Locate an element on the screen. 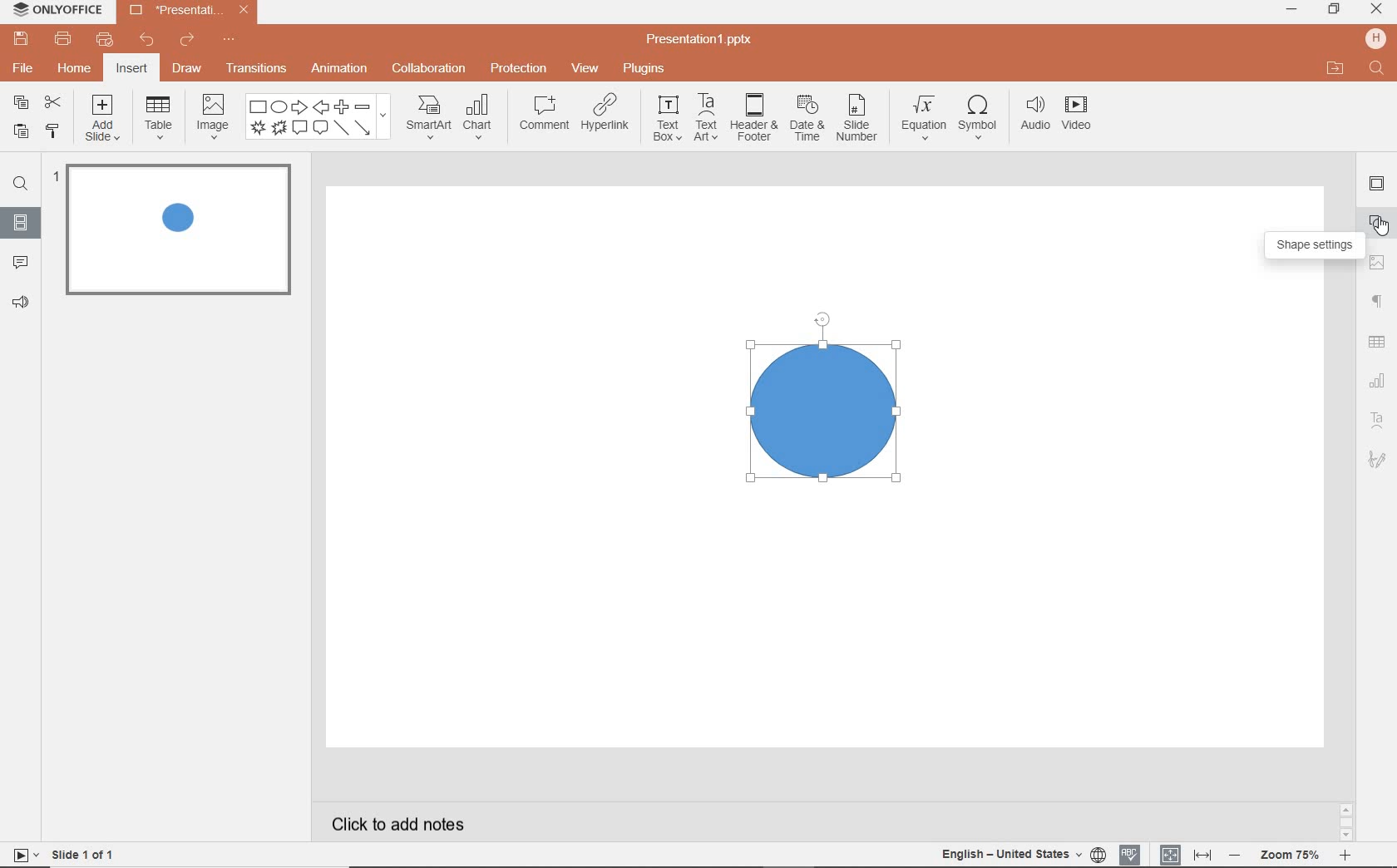 This screenshot has height=868, width=1397. comment is located at coordinates (544, 112).